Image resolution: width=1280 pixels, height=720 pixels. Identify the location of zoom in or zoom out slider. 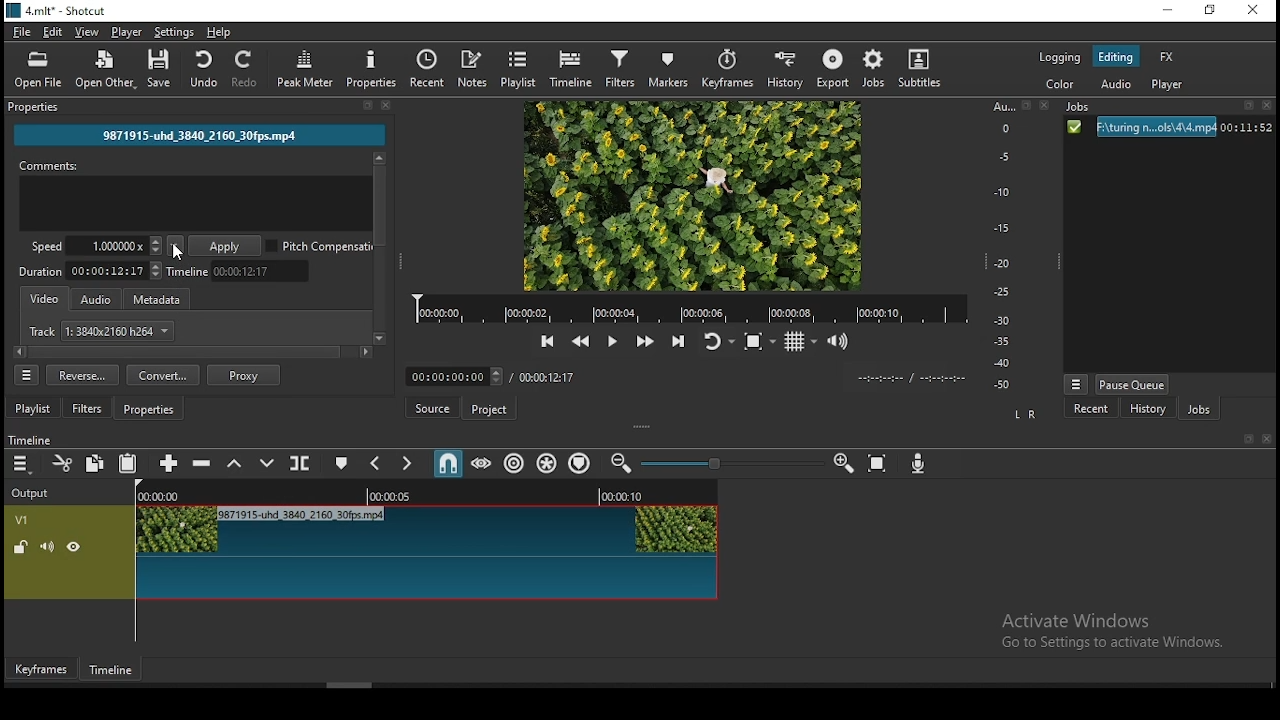
(731, 466).